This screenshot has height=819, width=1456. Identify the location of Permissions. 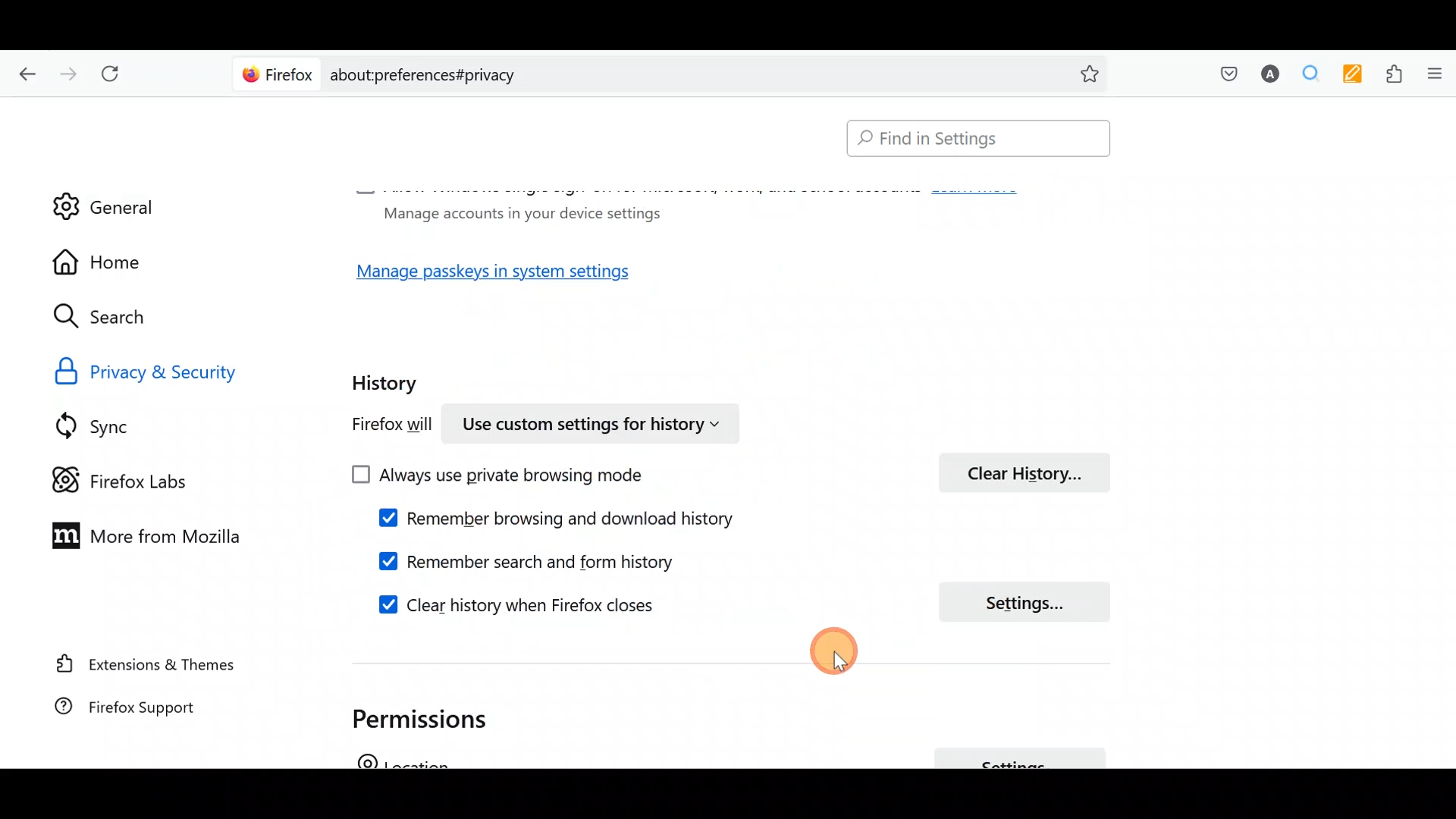
(436, 718).